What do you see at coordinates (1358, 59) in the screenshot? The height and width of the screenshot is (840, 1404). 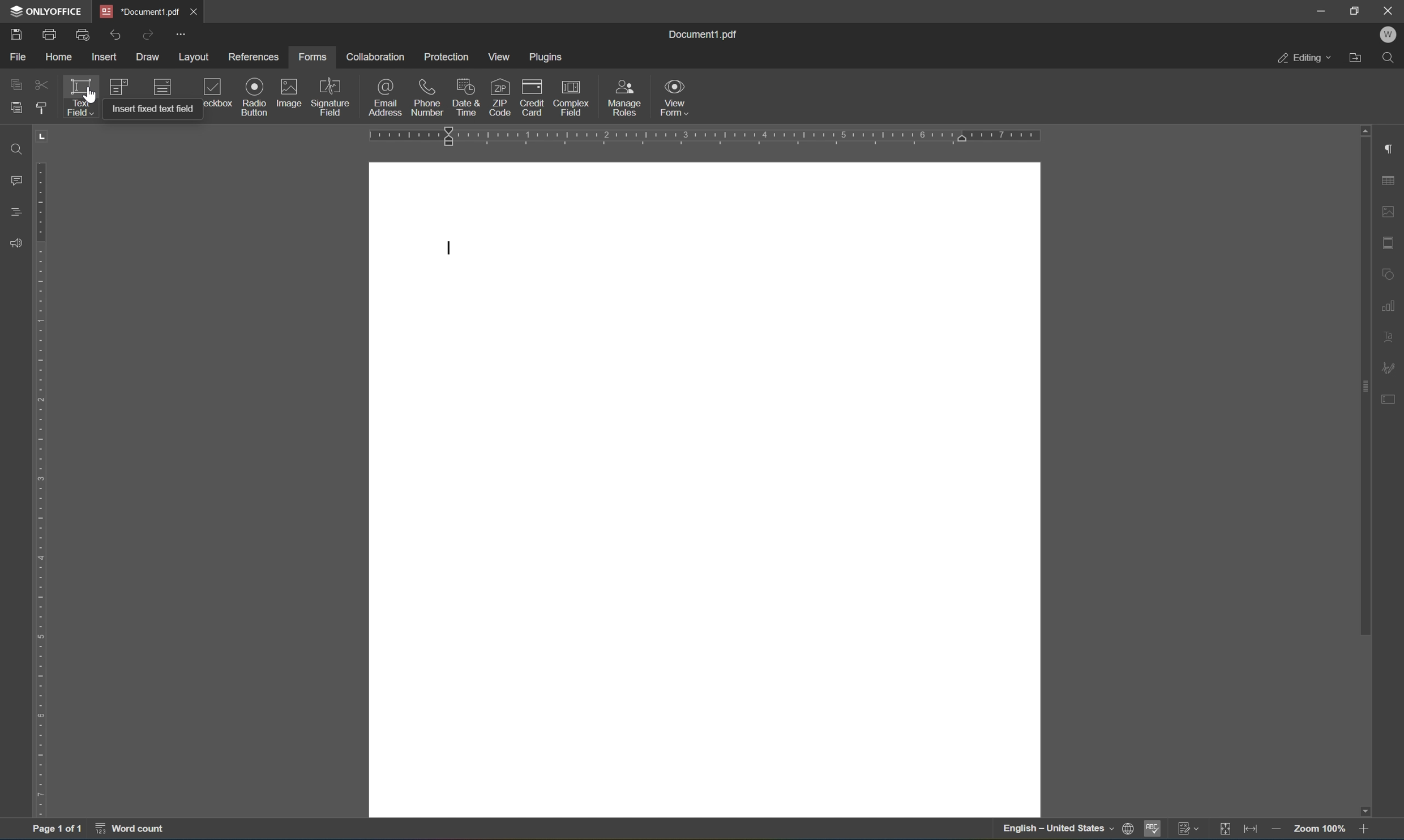 I see `open file location` at bounding box center [1358, 59].